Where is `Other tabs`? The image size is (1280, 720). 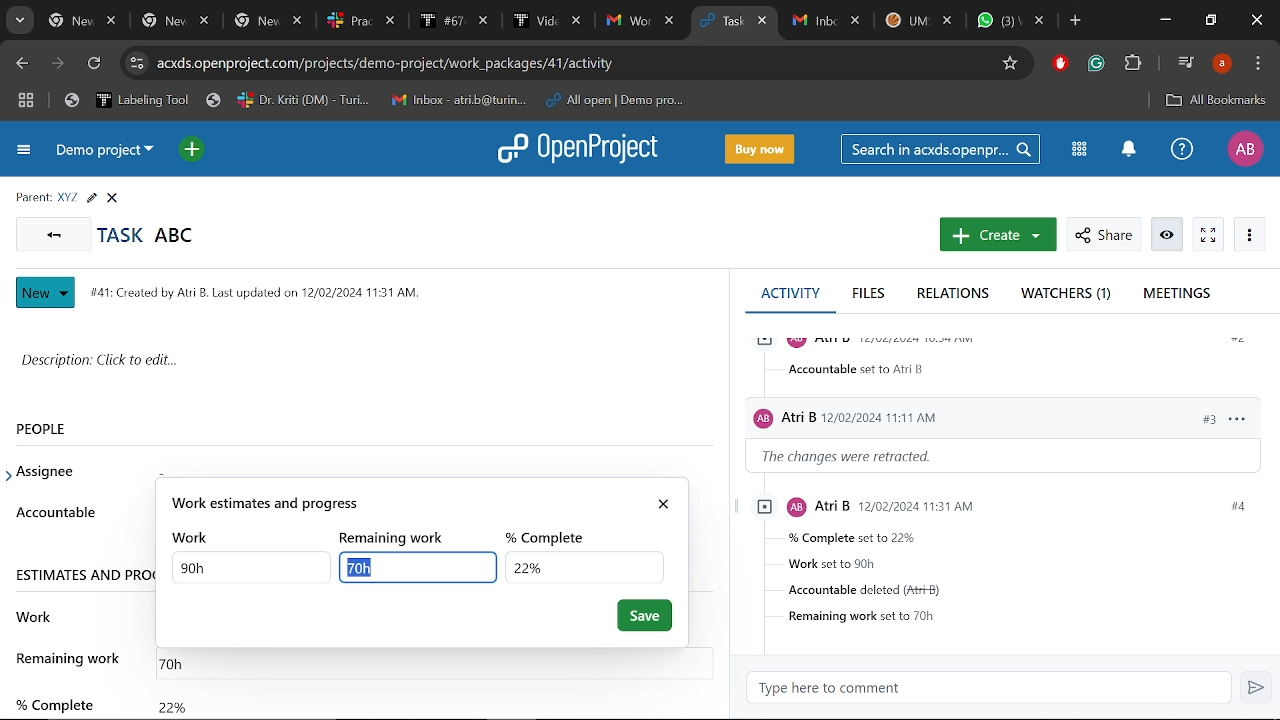 Other tabs is located at coordinates (918, 20).